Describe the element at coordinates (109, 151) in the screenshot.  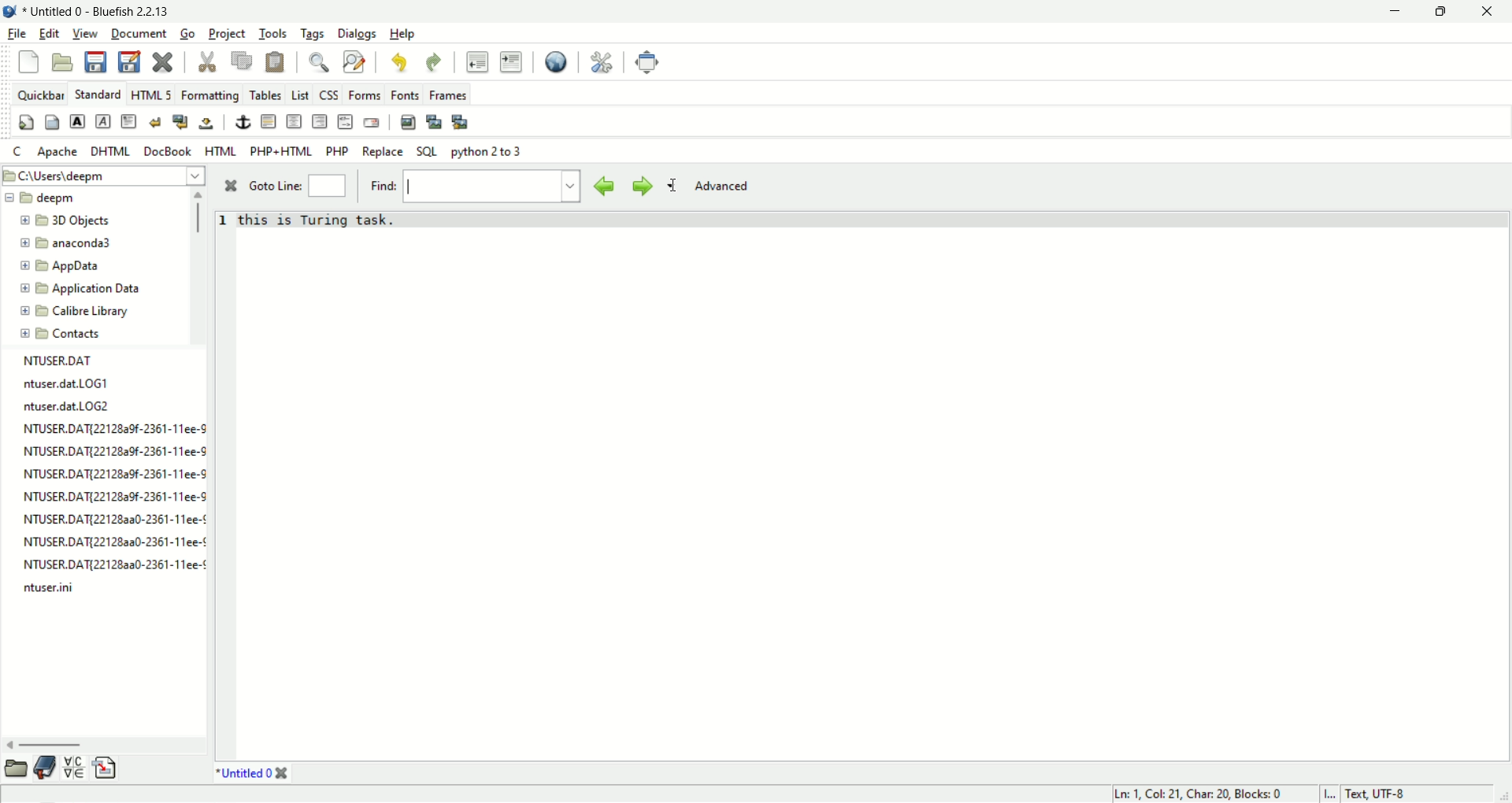
I see `DHTML` at that location.